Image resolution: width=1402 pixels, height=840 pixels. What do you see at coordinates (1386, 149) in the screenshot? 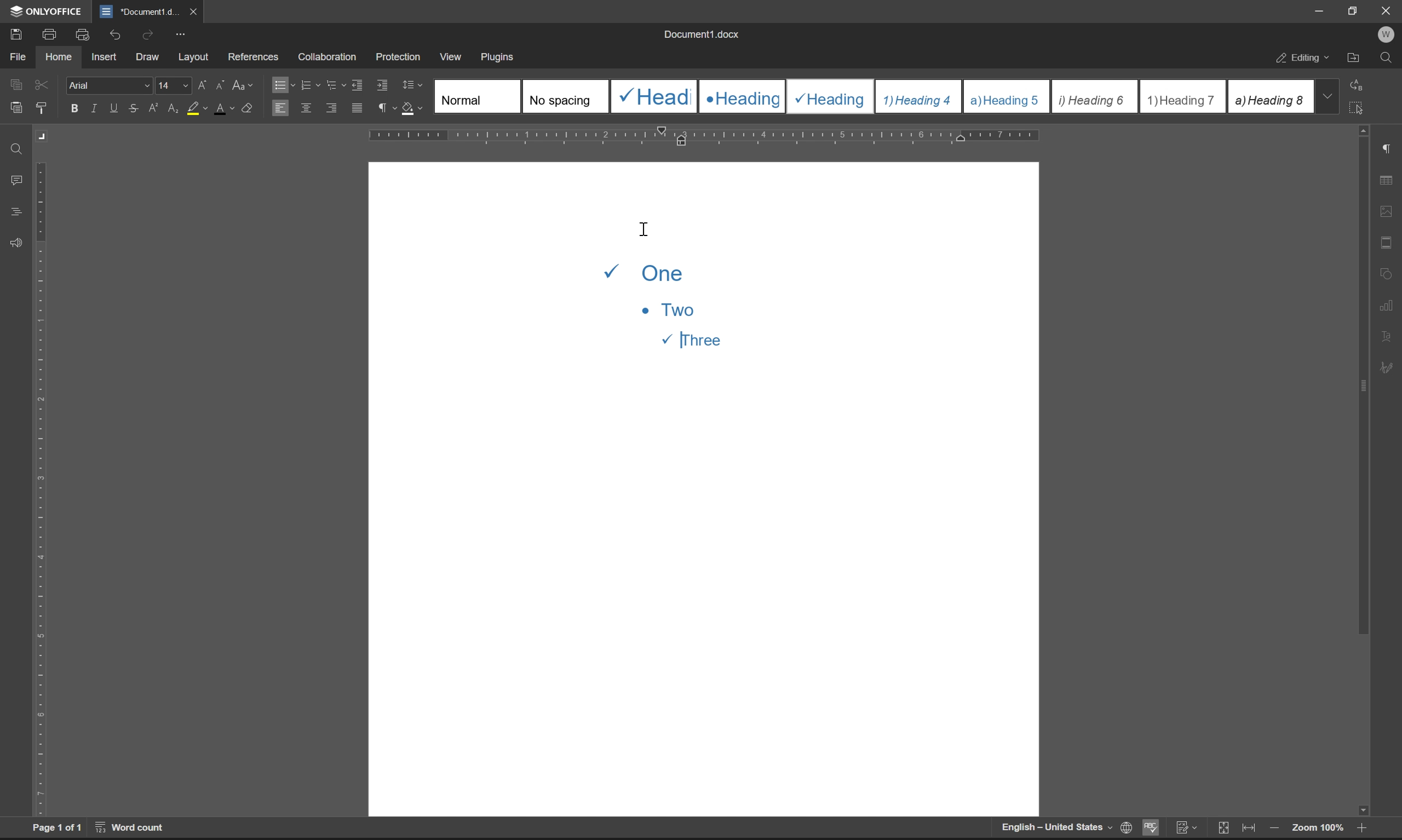
I see `paragraph settings` at bounding box center [1386, 149].